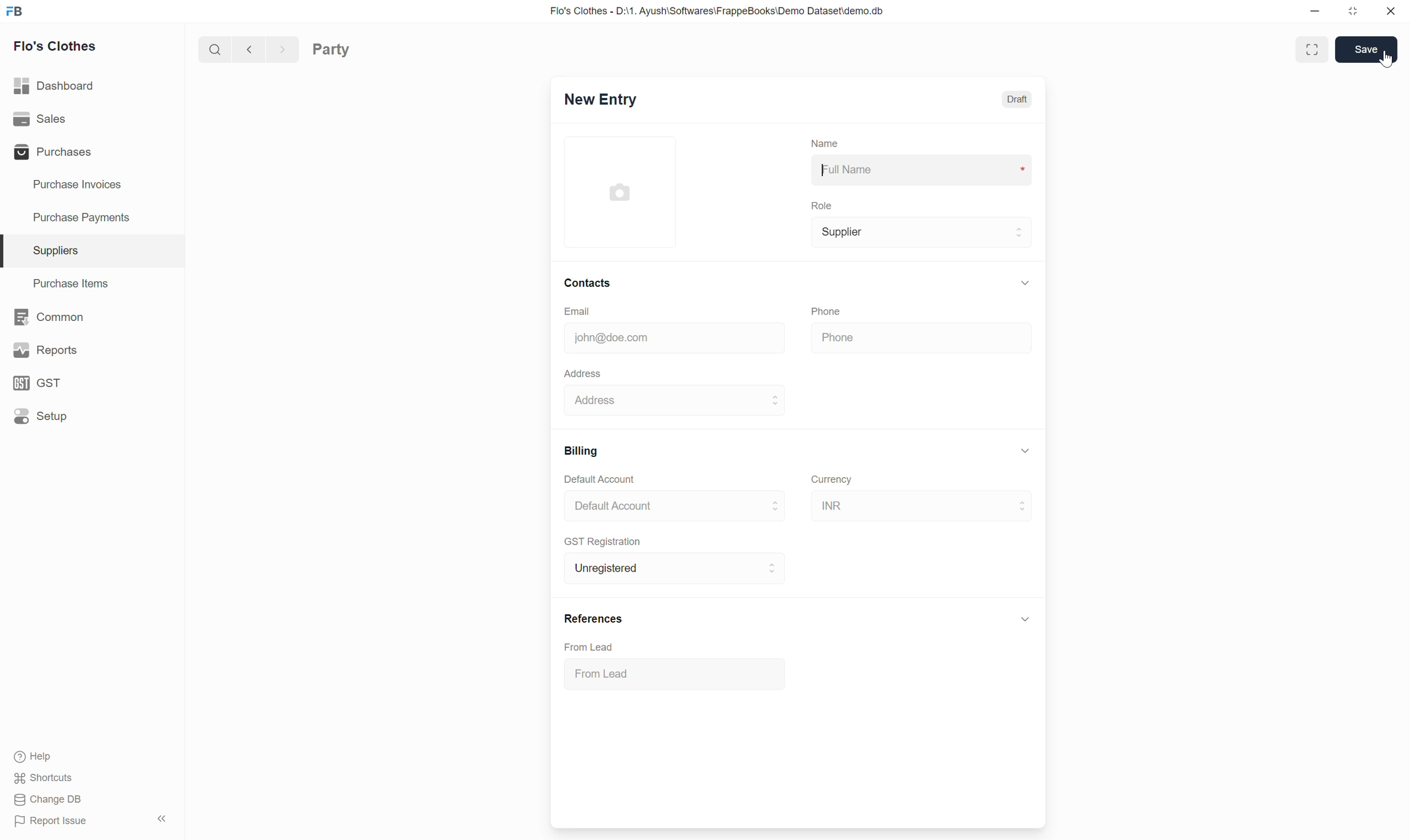 The width and height of the screenshot is (1410, 840). What do you see at coordinates (1315, 11) in the screenshot?
I see `Minimize` at bounding box center [1315, 11].